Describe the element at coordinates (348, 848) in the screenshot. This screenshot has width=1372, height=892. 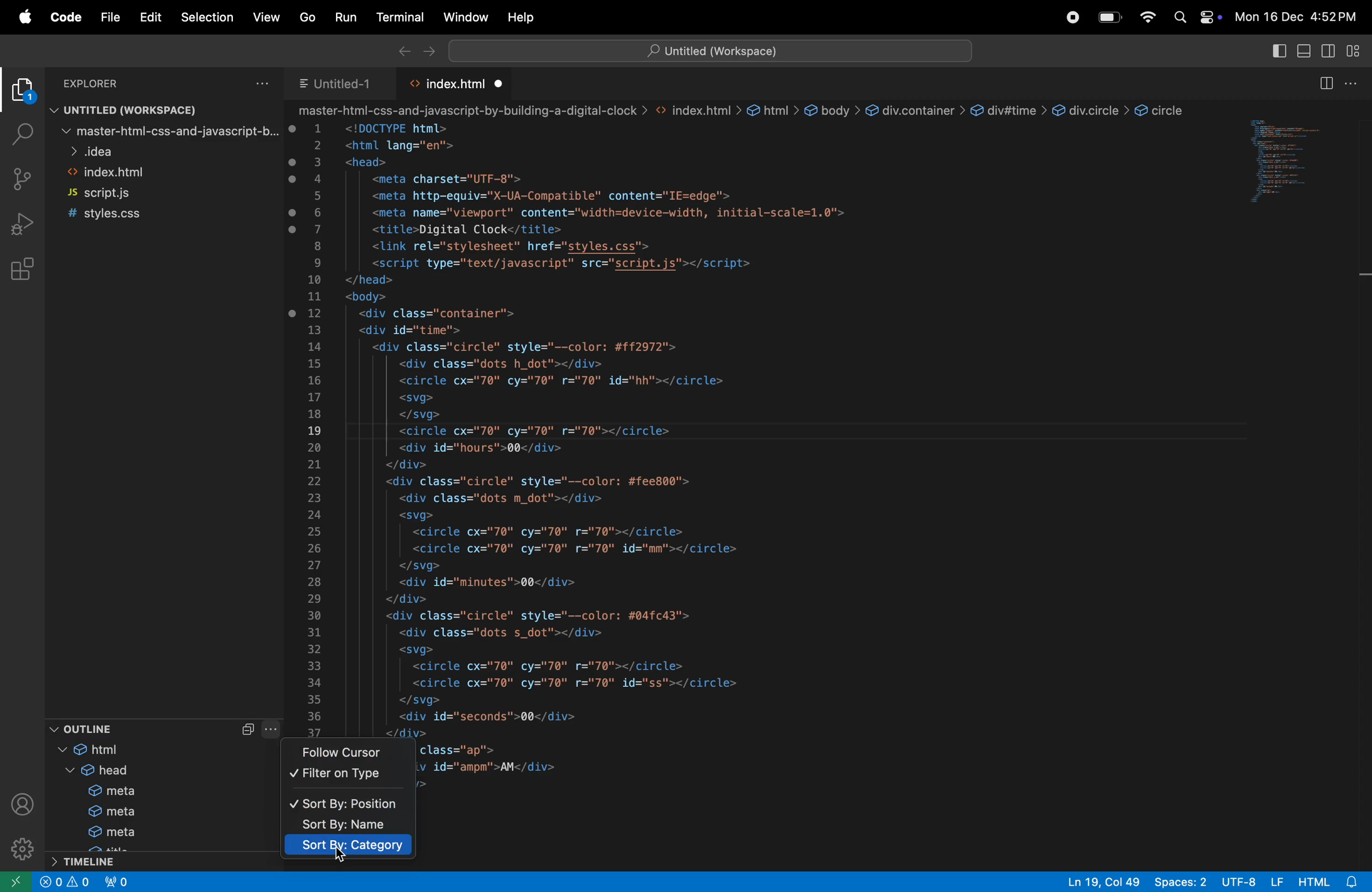
I see `sort by category` at that location.